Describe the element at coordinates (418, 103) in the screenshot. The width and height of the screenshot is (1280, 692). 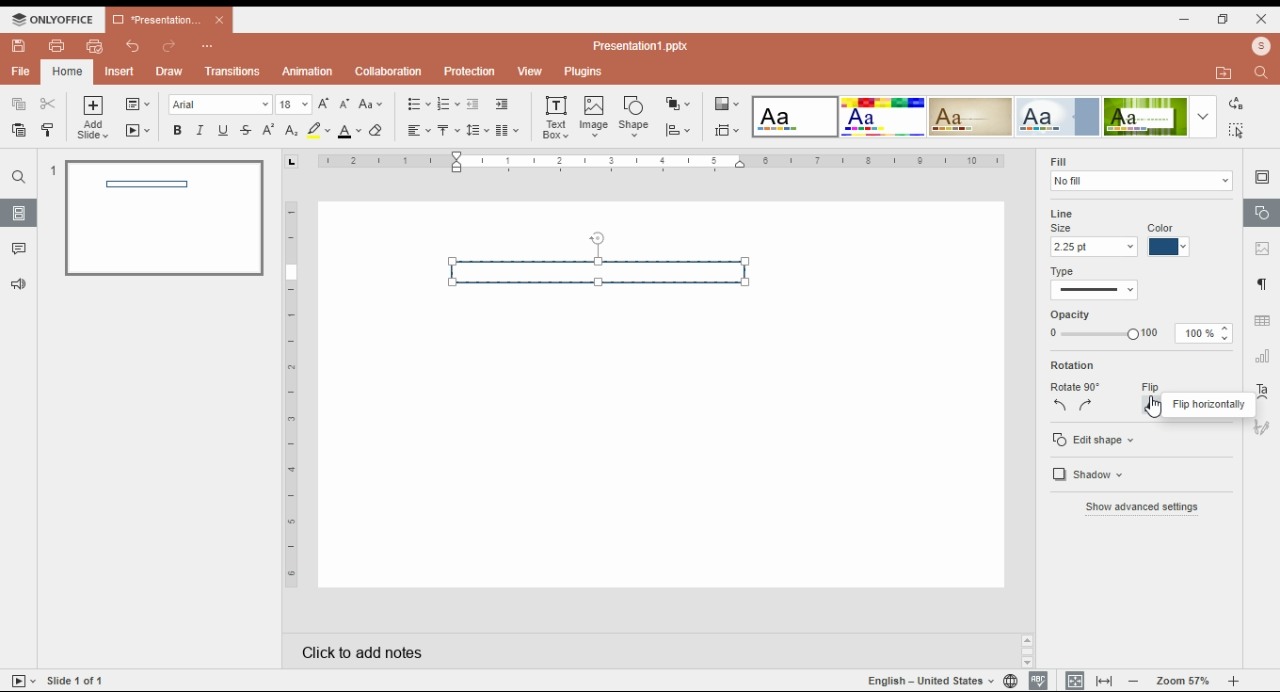
I see `bullets` at that location.